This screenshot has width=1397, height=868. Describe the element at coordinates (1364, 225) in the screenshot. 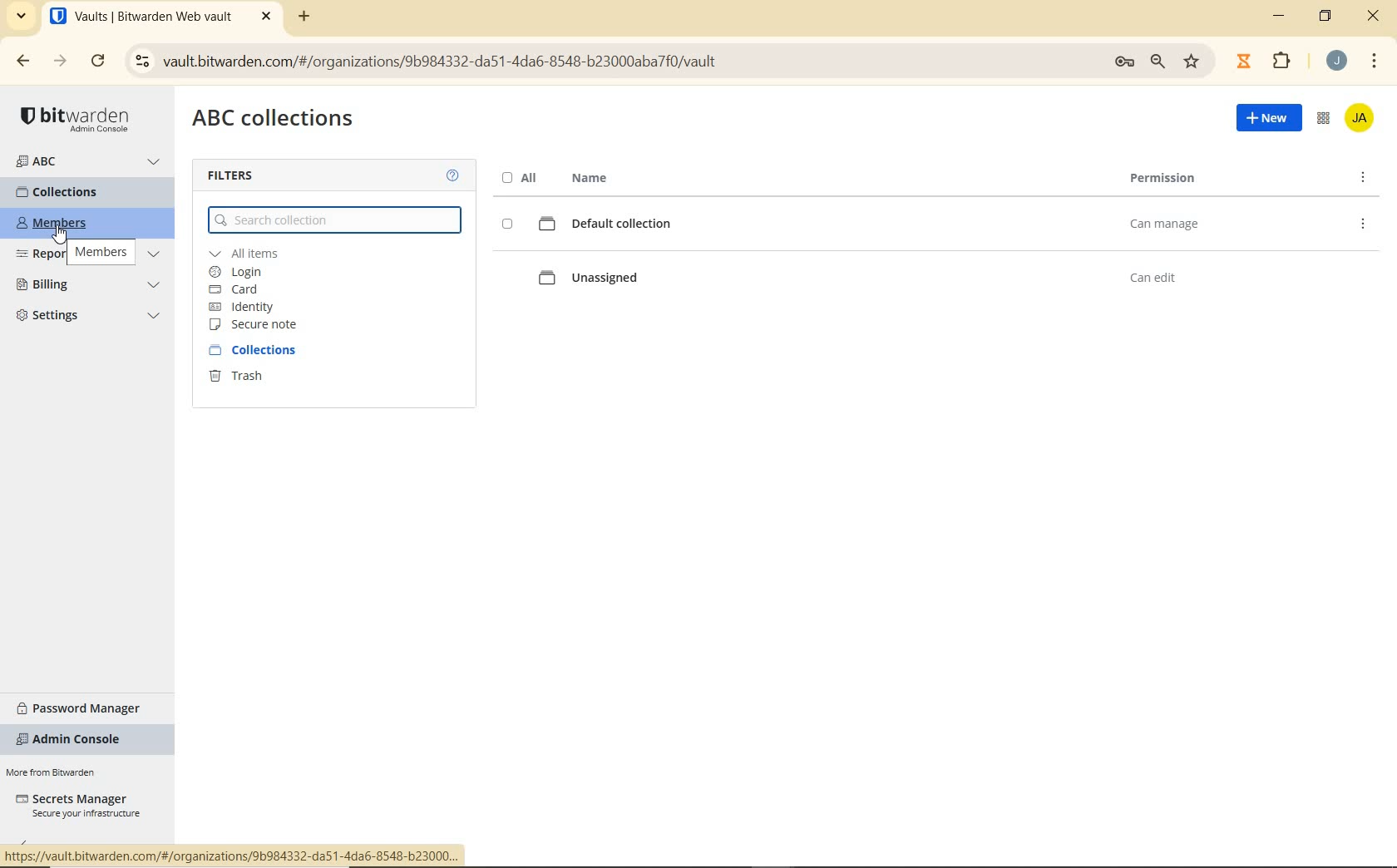

I see `OPTIONS` at that location.